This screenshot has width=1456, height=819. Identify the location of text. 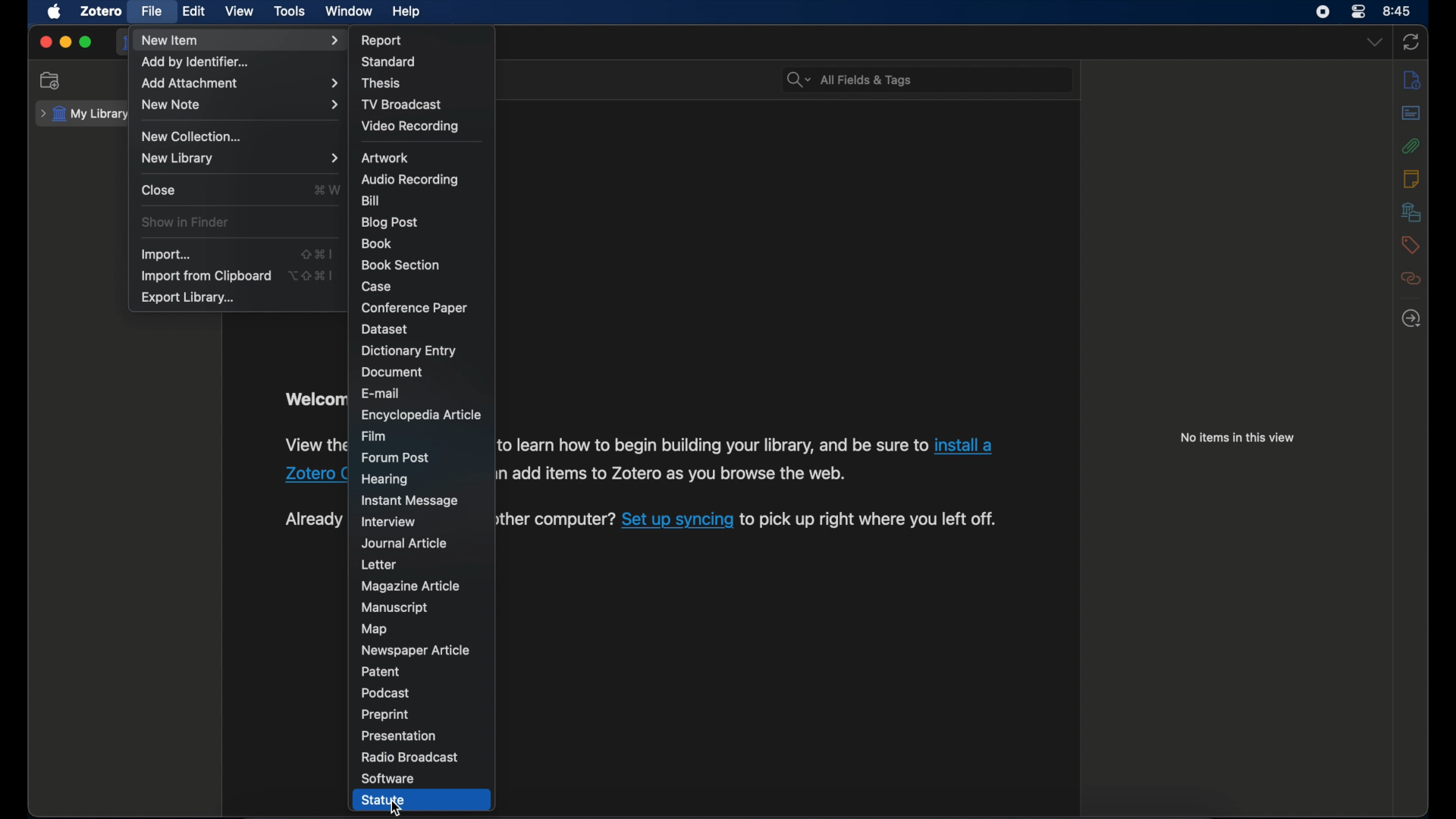
(312, 519).